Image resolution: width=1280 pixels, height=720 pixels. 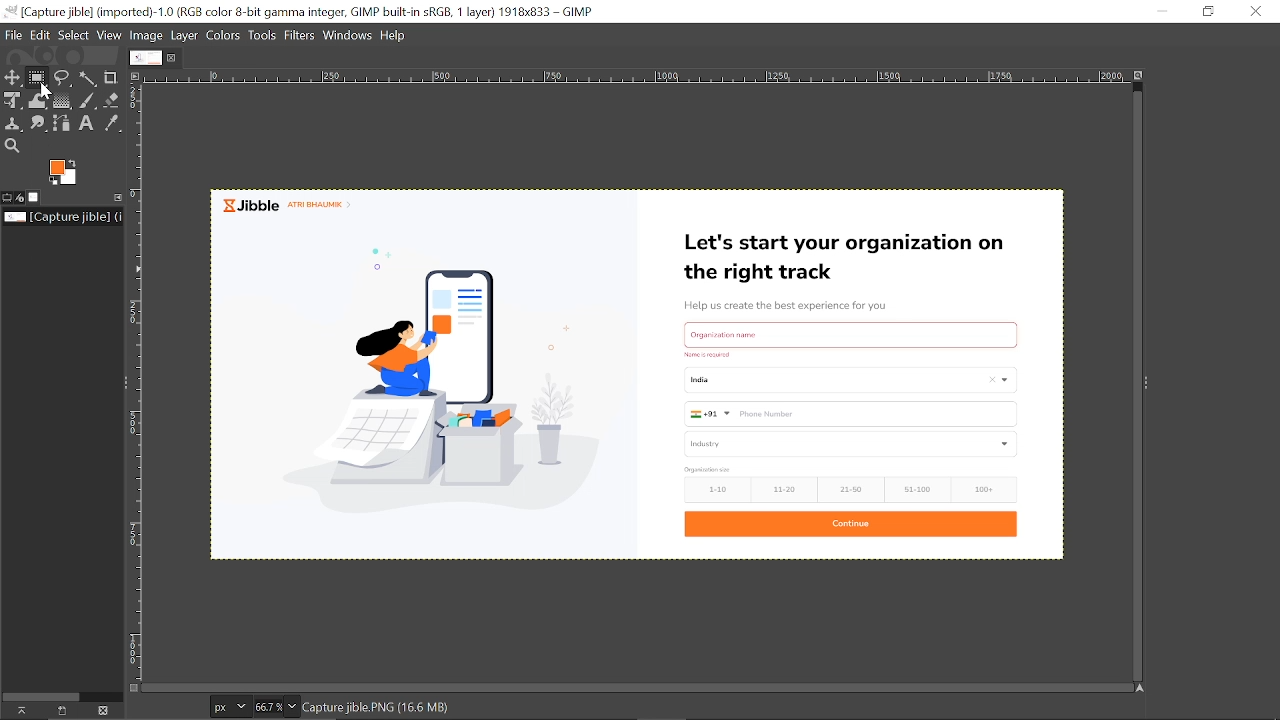 What do you see at coordinates (87, 123) in the screenshot?
I see `Text tool` at bounding box center [87, 123].